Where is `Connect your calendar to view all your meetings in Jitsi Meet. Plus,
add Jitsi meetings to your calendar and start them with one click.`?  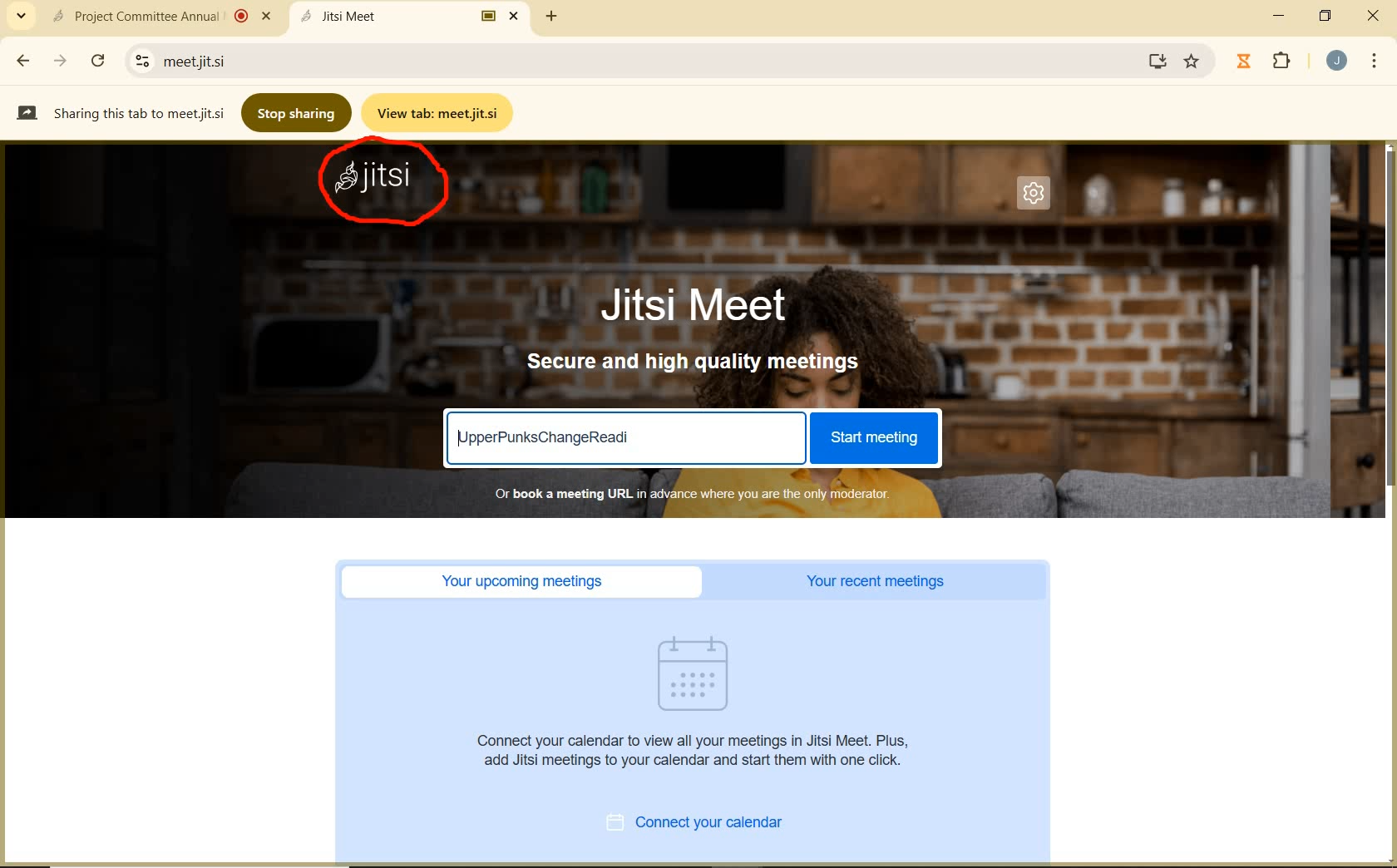 Connect your calendar to view all your meetings in Jitsi Meet. Plus,
add Jitsi meetings to your calendar and start them with one click. is located at coordinates (698, 750).